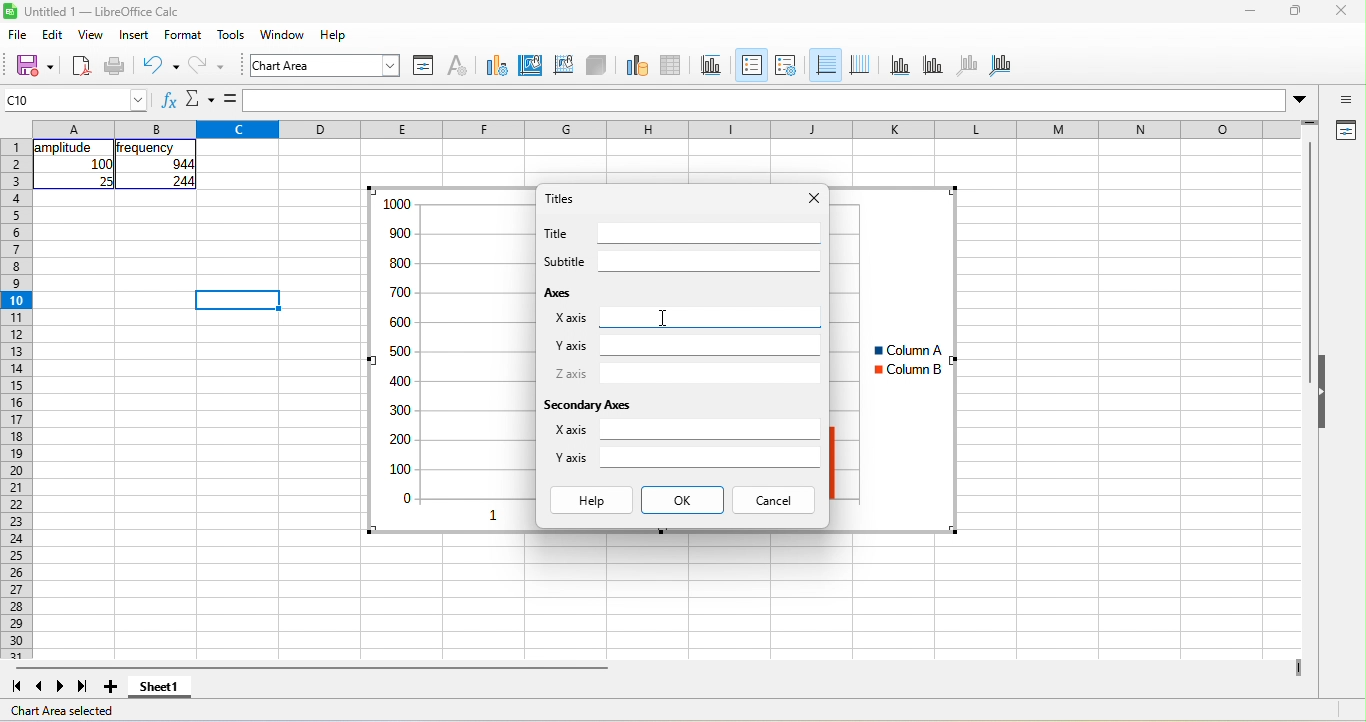 This screenshot has width=1366, height=722. What do you see at coordinates (933, 66) in the screenshot?
I see `y axis` at bounding box center [933, 66].